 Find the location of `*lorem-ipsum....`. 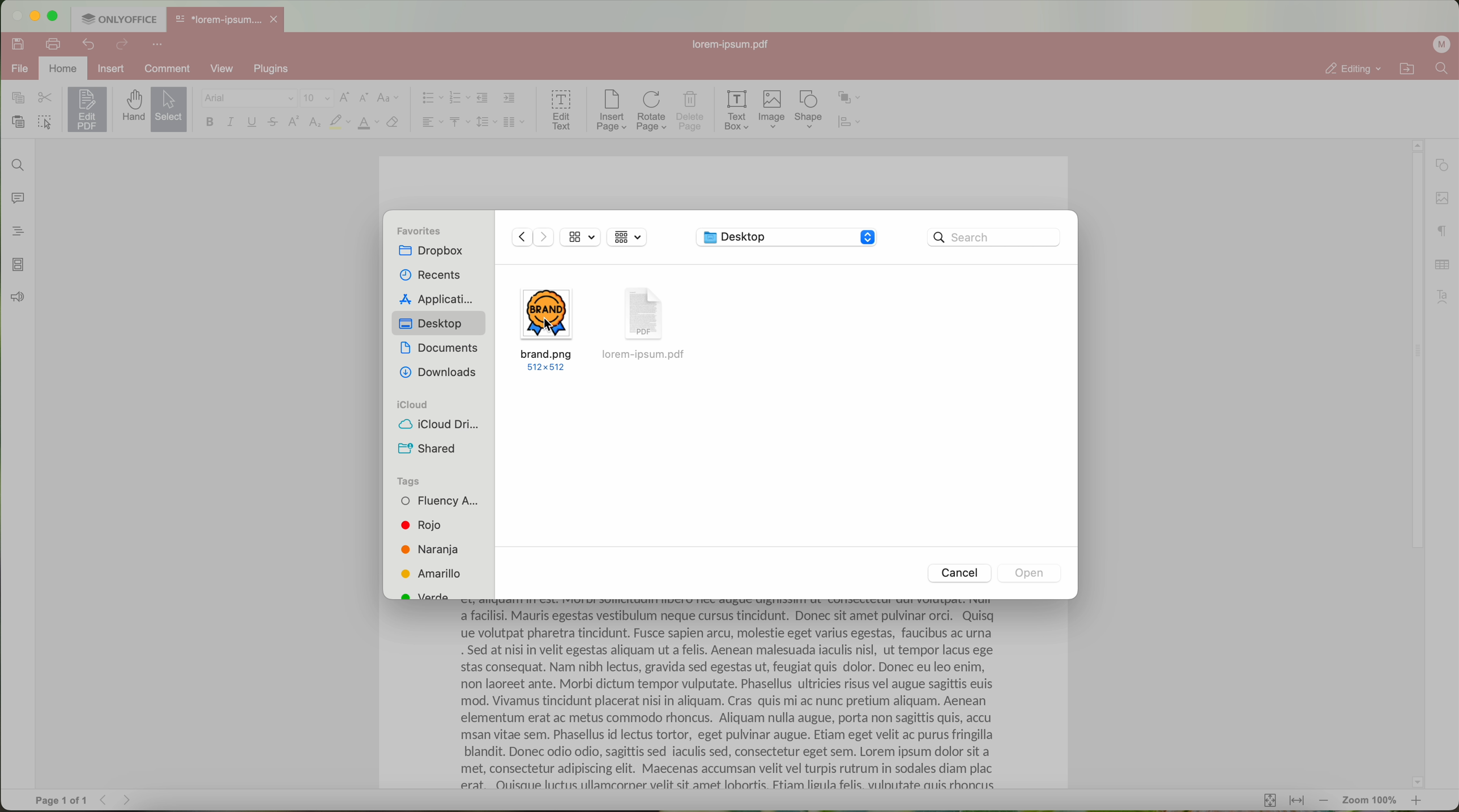

*lorem-ipsum.... is located at coordinates (217, 17).